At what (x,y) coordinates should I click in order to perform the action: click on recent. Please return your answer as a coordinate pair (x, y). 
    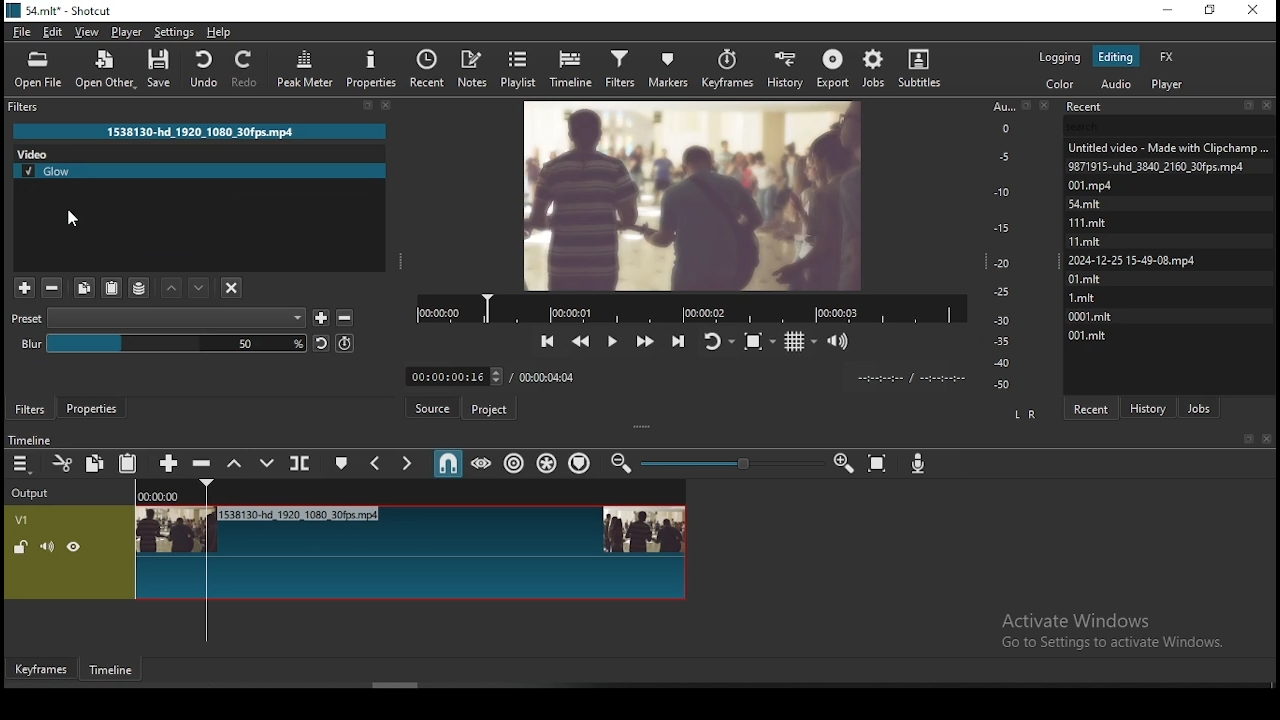
    Looking at the image, I should click on (1090, 408).